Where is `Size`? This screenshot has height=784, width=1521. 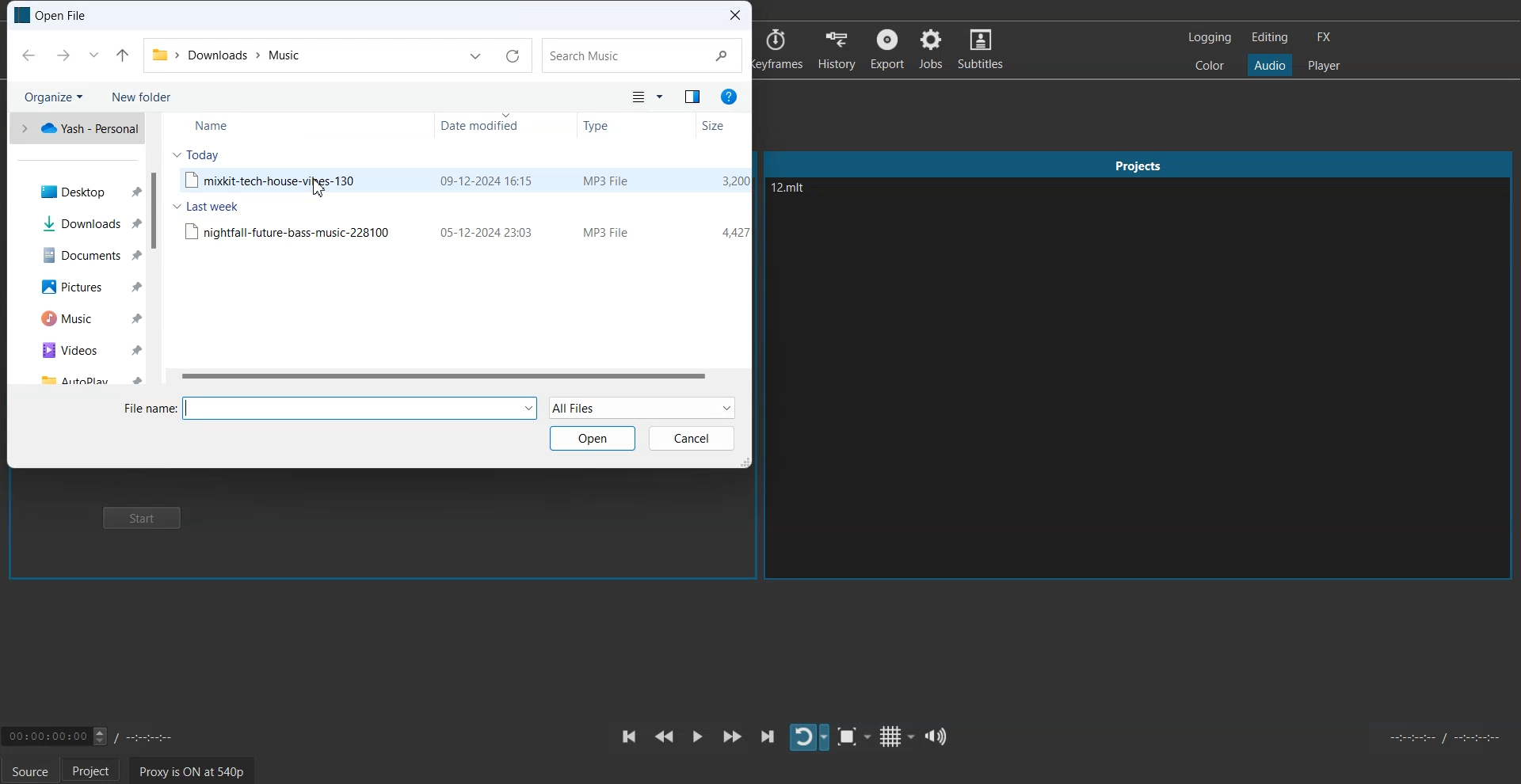
Size is located at coordinates (713, 126).